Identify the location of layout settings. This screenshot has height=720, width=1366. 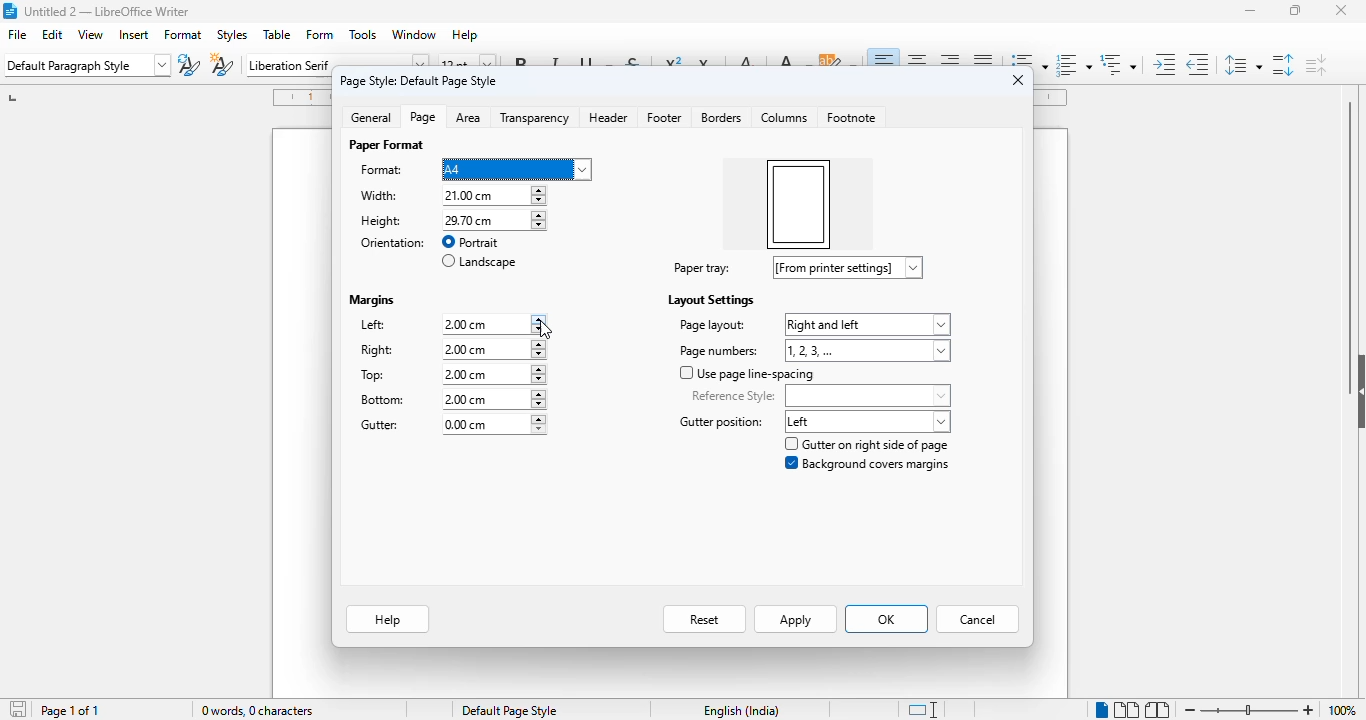
(713, 300).